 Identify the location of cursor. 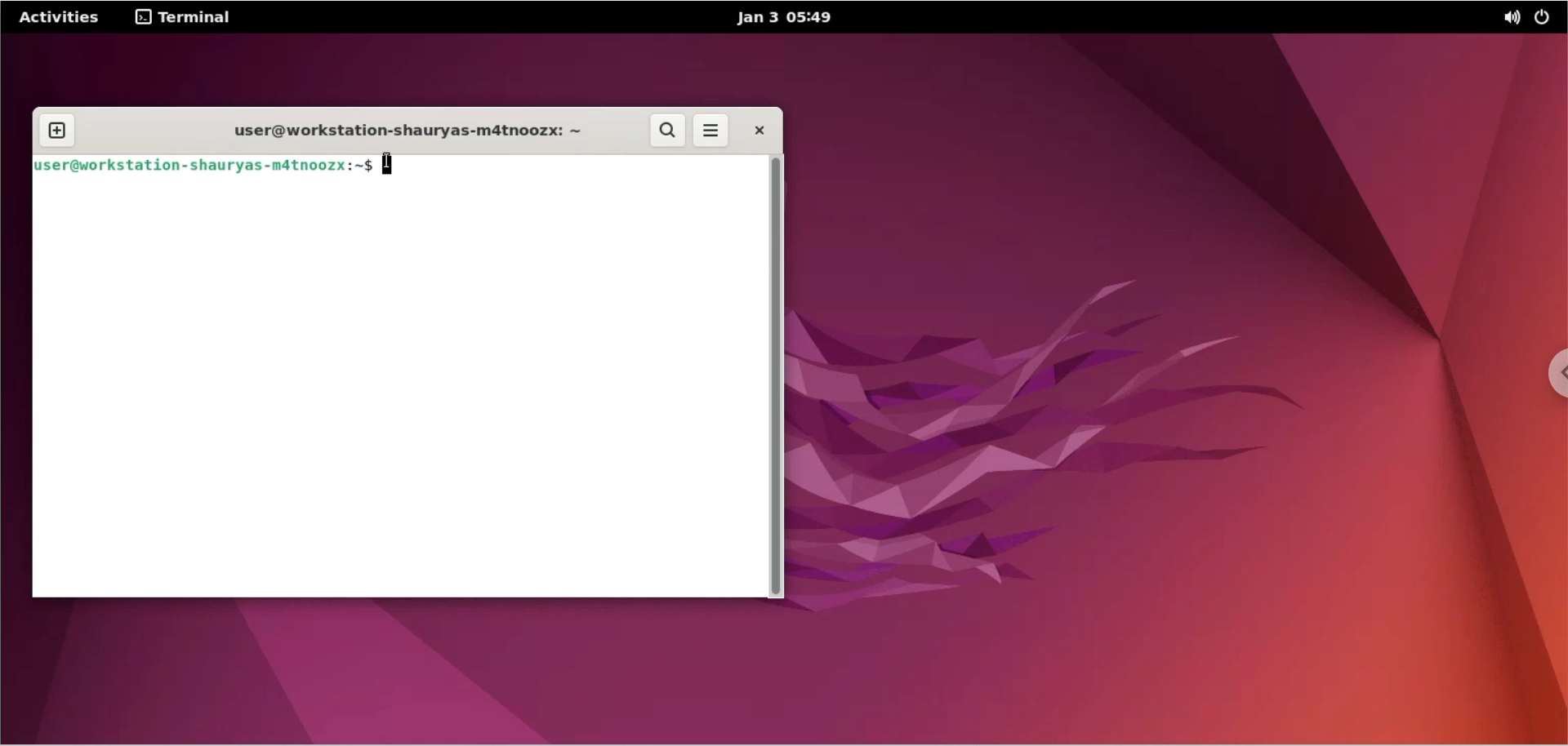
(394, 163).